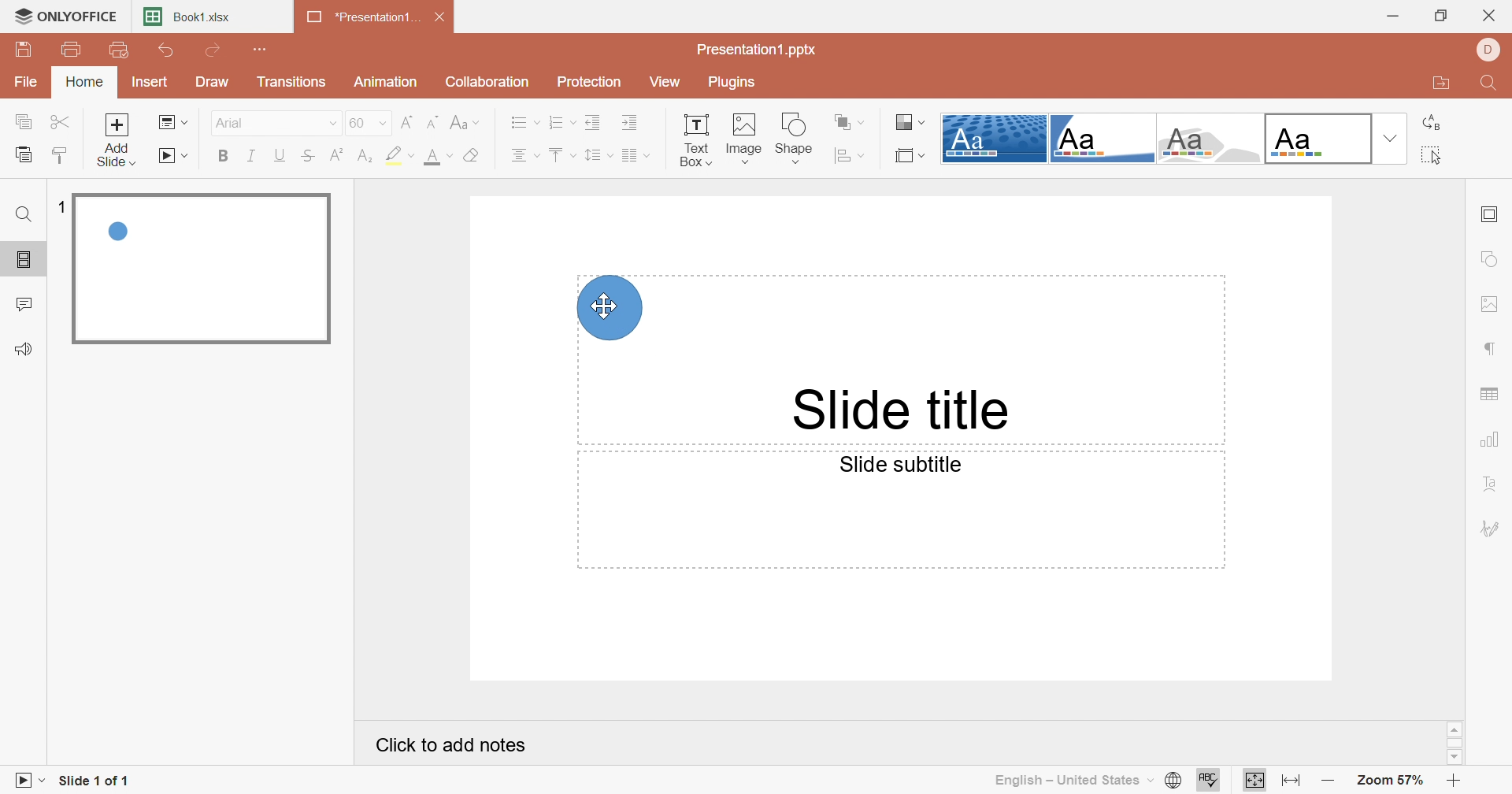  What do you see at coordinates (603, 306) in the screenshot?
I see `cursor` at bounding box center [603, 306].